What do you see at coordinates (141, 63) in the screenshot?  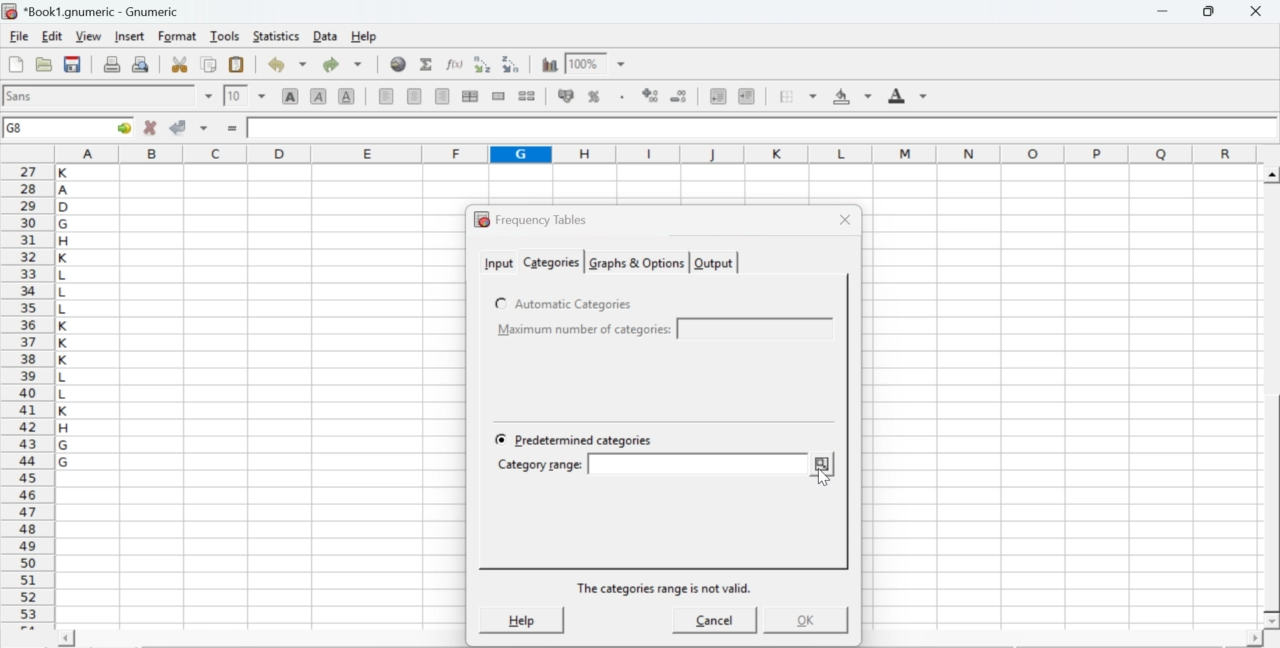 I see `print preview` at bounding box center [141, 63].